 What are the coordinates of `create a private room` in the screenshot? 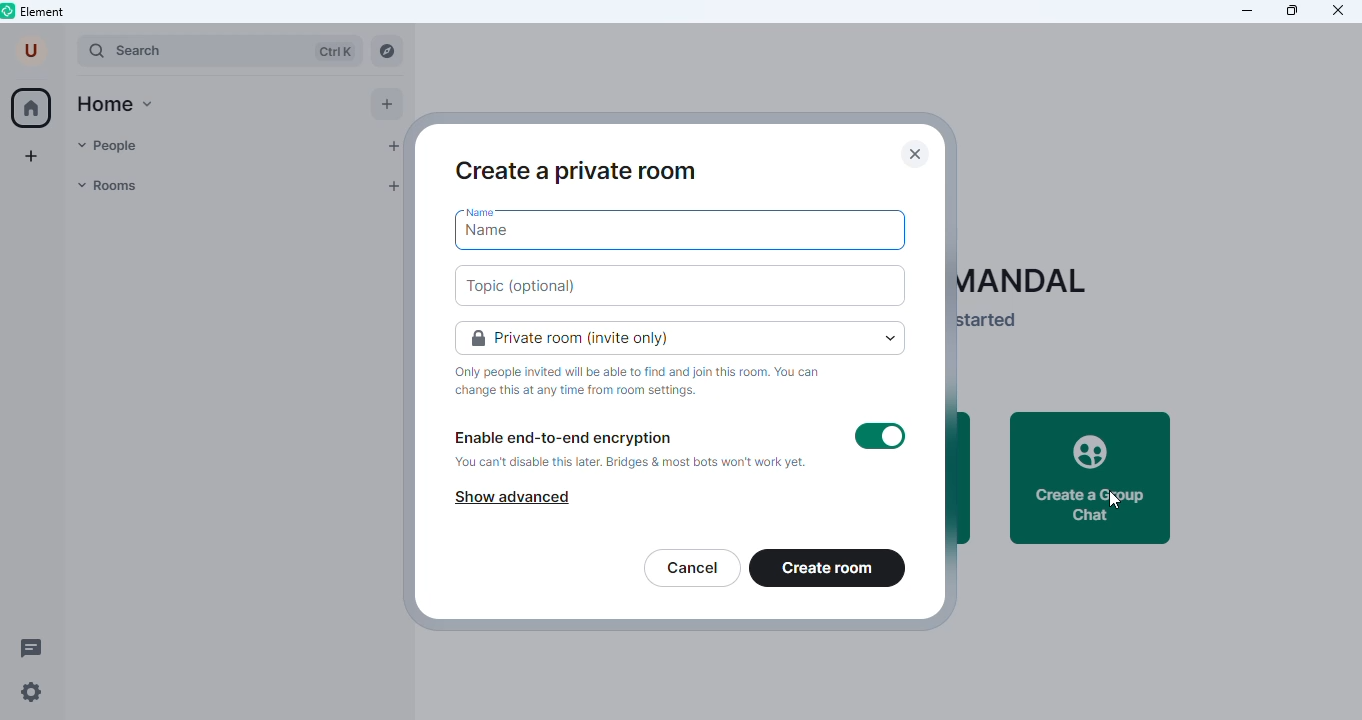 It's located at (572, 174).